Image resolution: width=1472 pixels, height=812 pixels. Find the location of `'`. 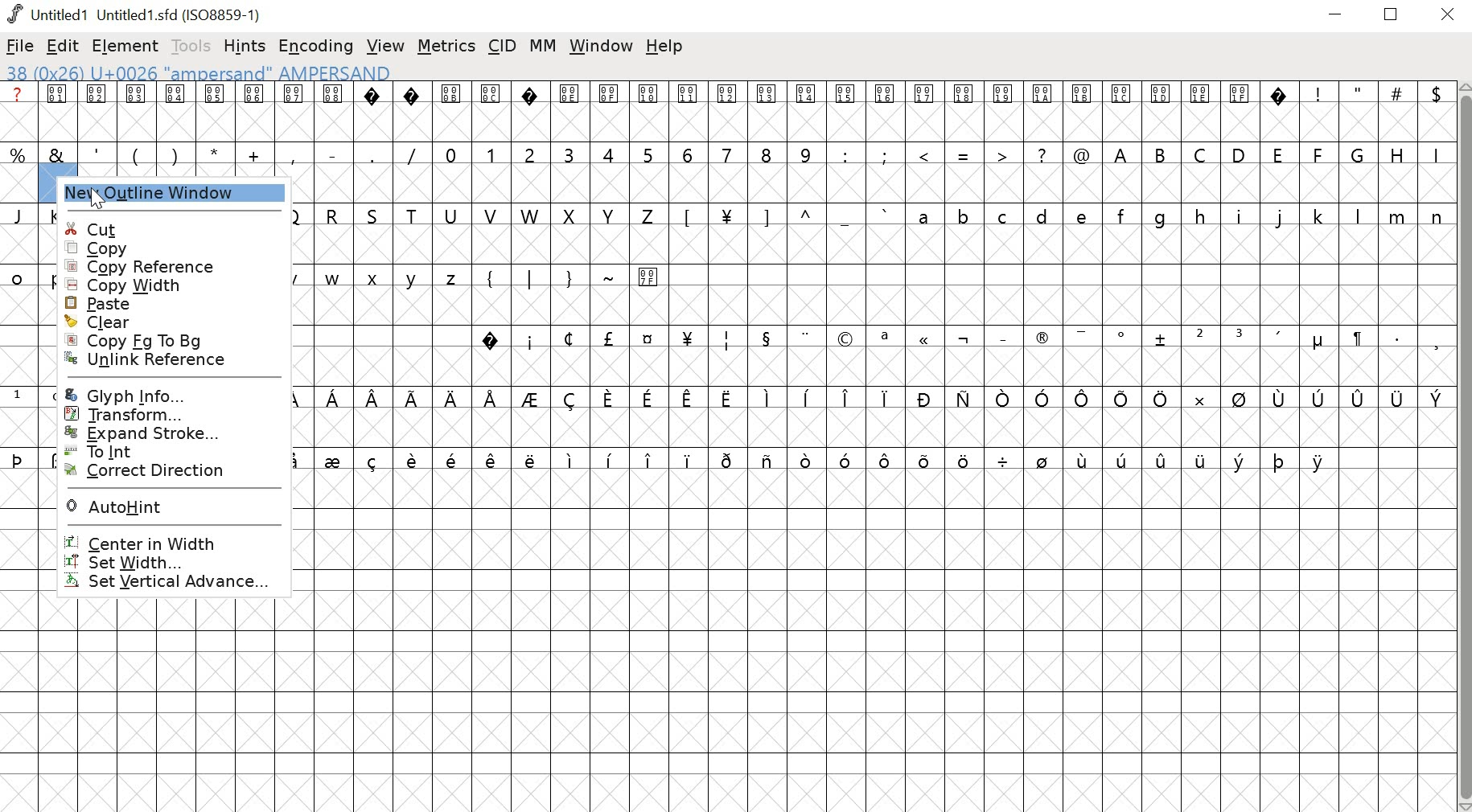

' is located at coordinates (98, 153).